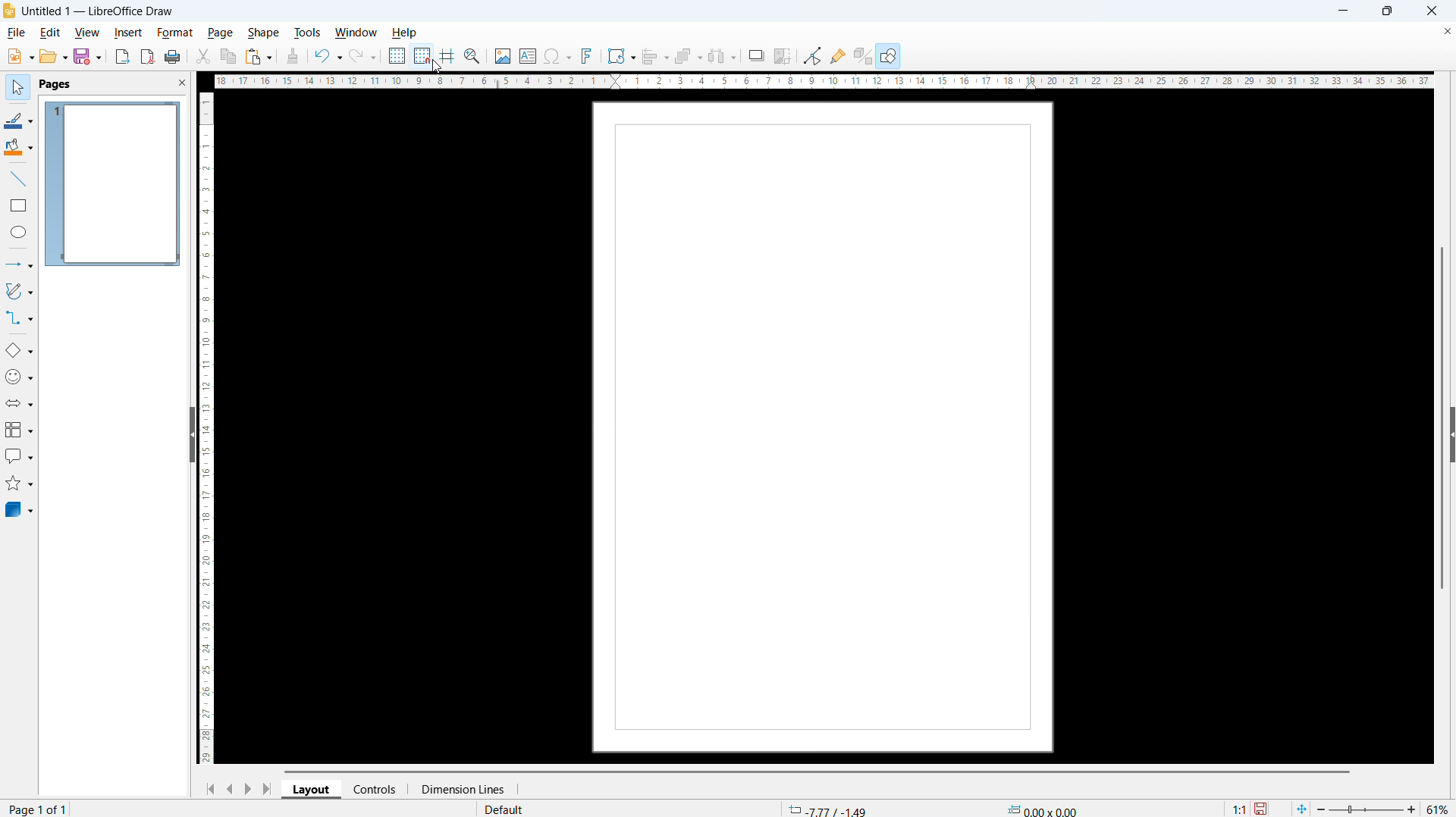 The height and width of the screenshot is (817, 1456). I want to click on Horizontal ruler , so click(822, 81).